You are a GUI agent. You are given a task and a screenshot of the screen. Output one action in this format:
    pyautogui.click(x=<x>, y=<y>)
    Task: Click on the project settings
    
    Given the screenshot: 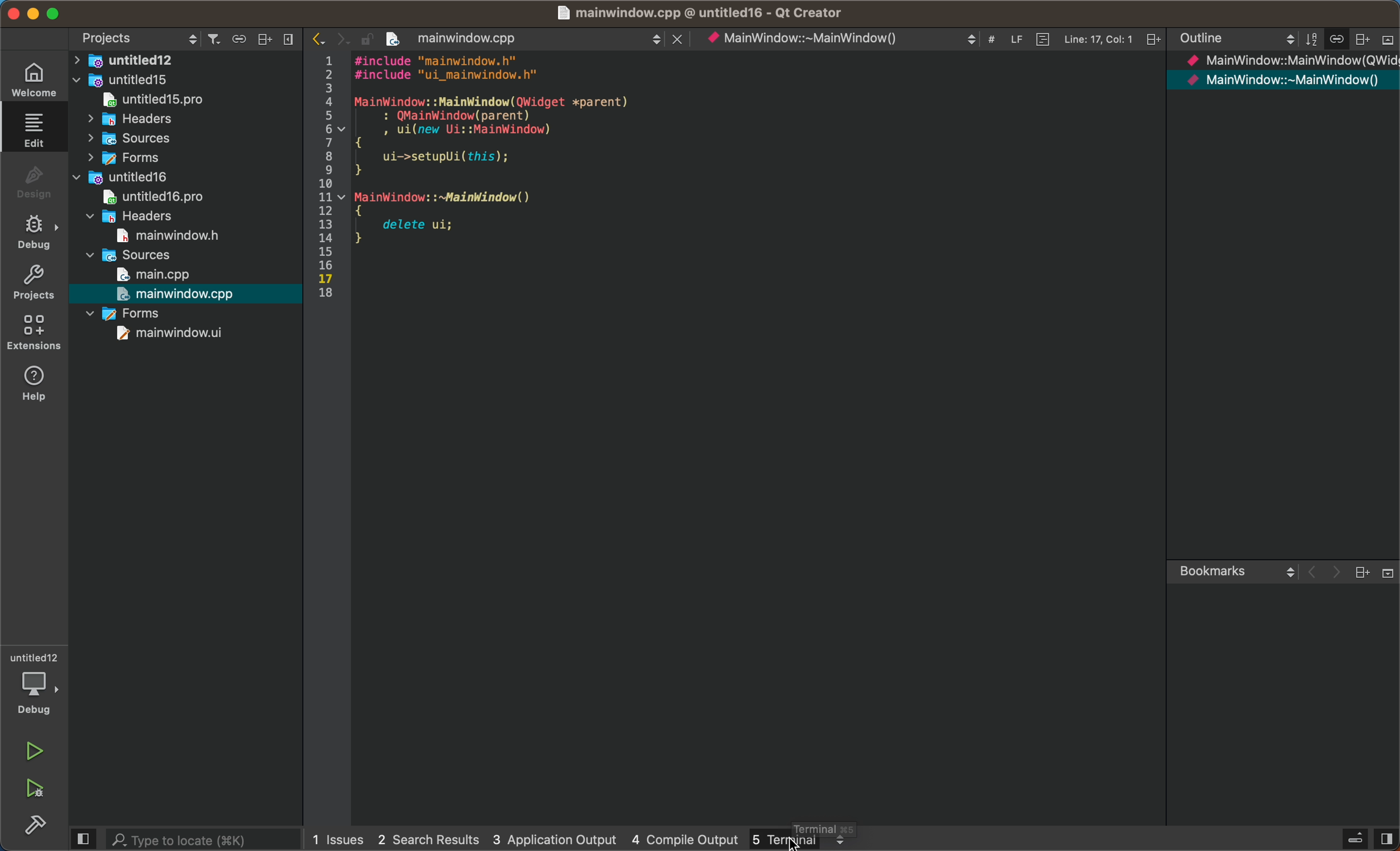 What is the action you would take?
    pyautogui.click(x=135, y=37)
    